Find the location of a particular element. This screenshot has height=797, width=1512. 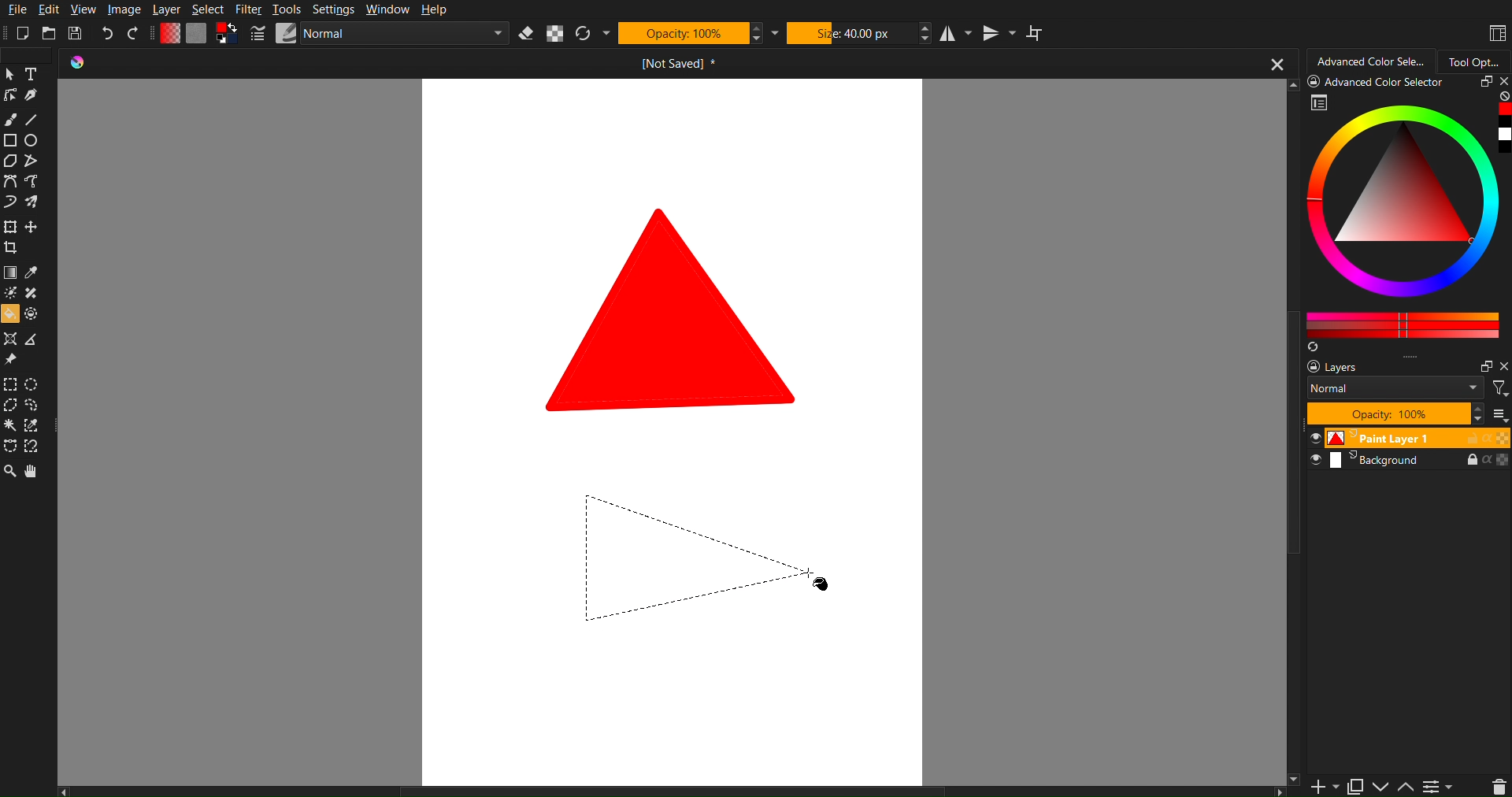

Create is located at coordinates (33, 228).